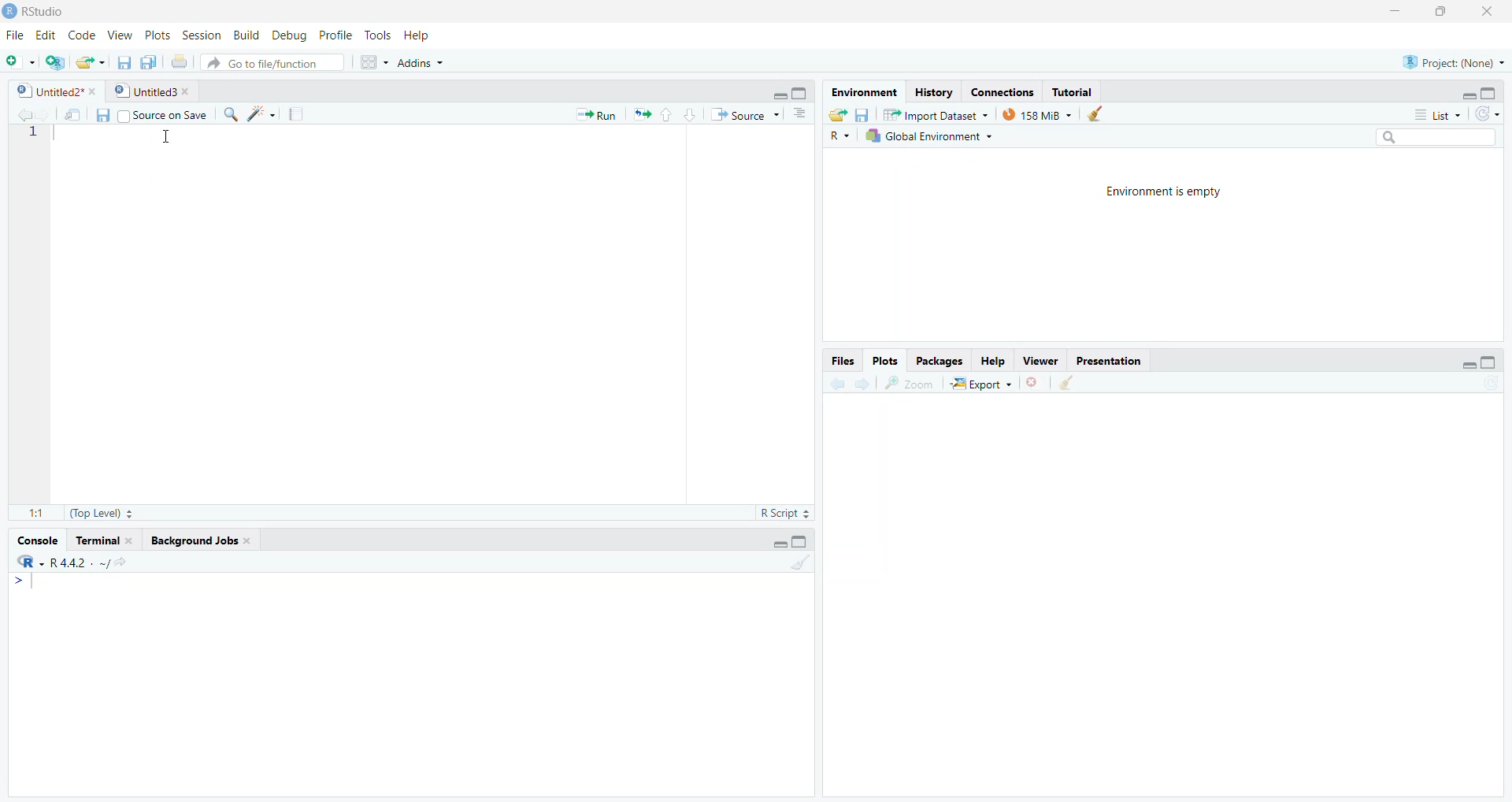  Describe the element at coordinates (793, 91) in the screenshot. I see `Minimize/Maximize` at that location.